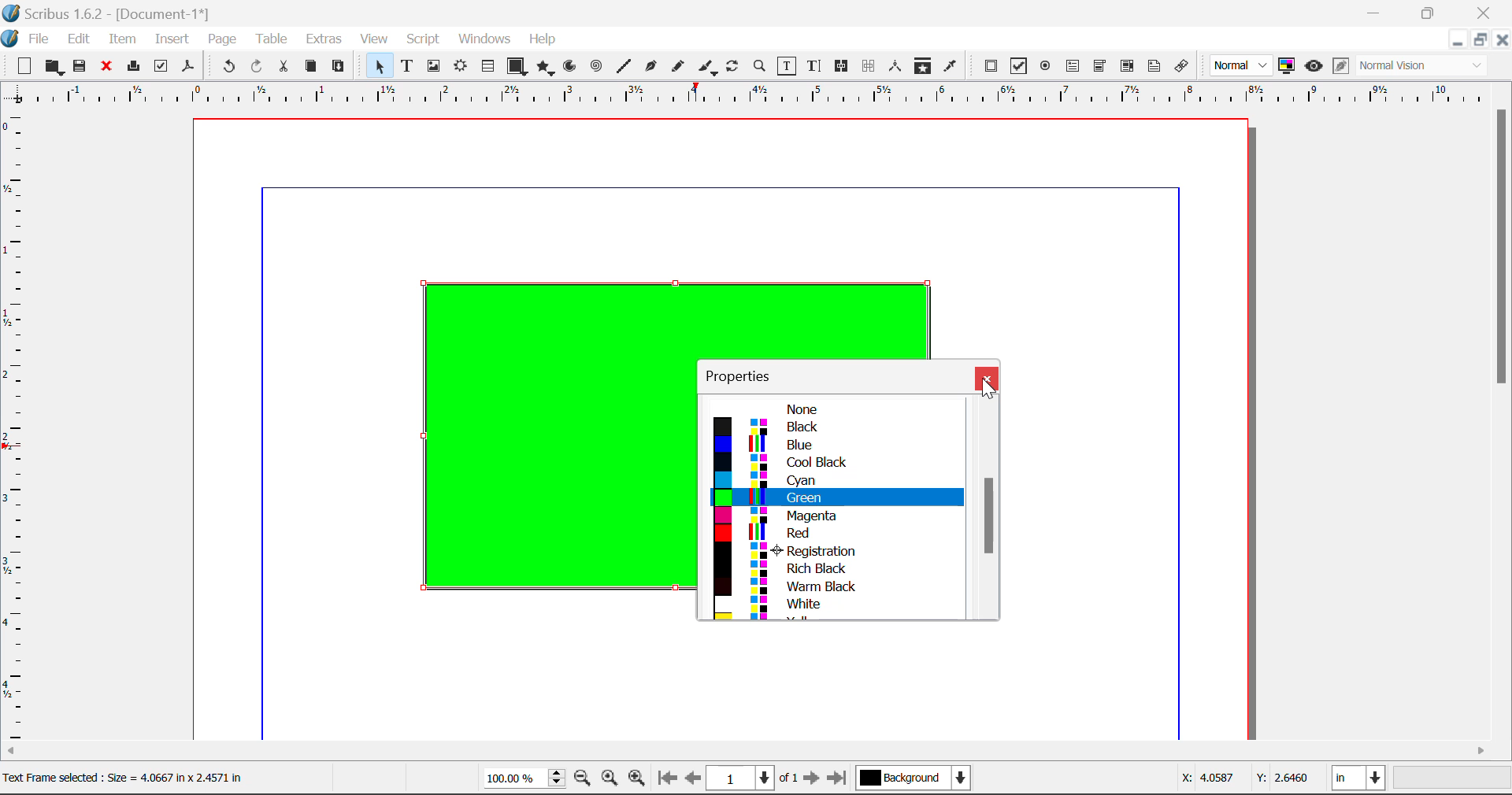 This screenshot has height=795, width=1512. Describe the element at coordinates (406, 65) in the screenshot. I see `Text Frame Selected` at that location.